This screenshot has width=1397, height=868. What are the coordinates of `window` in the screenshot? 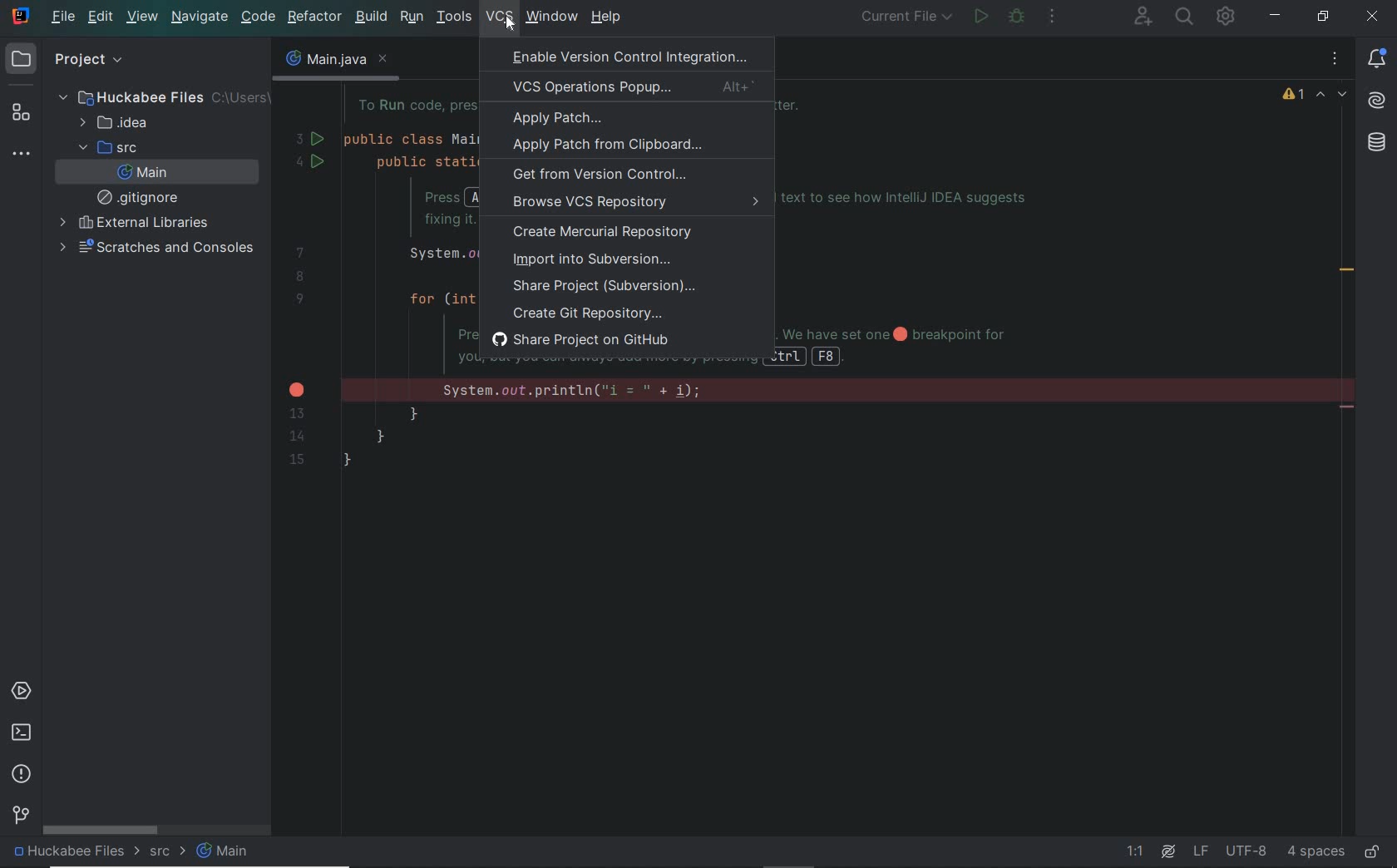 It's located at (551, 17).